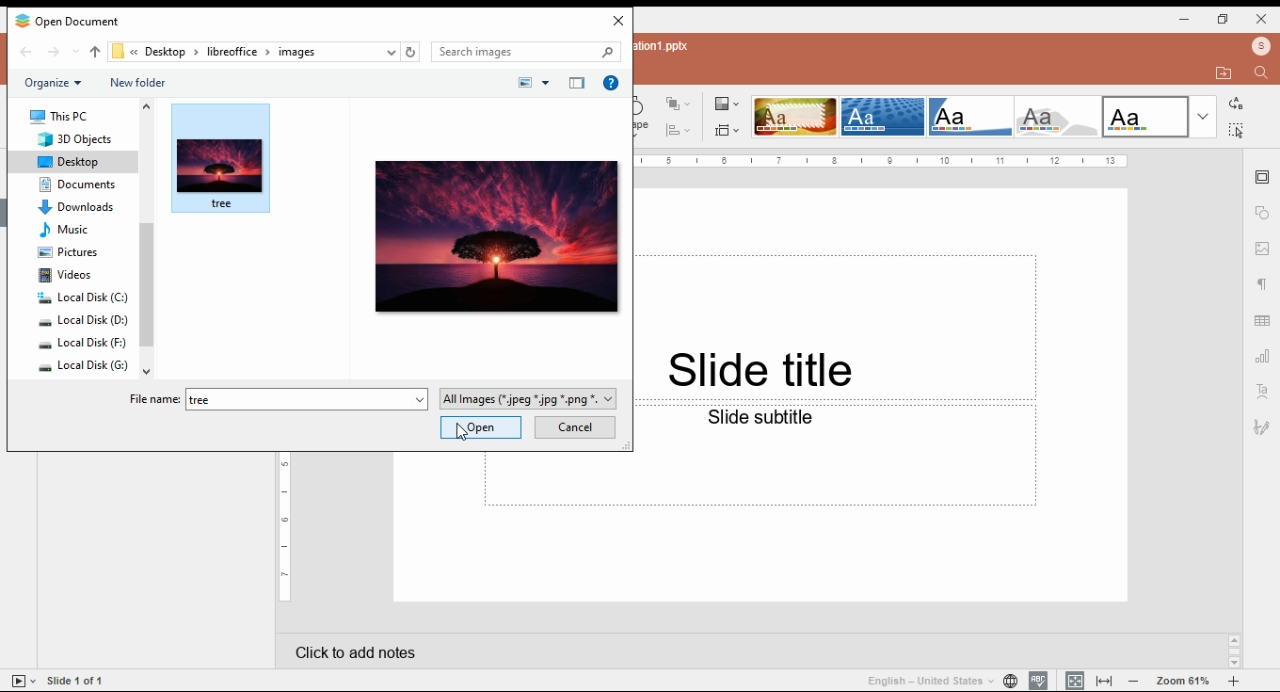 This screenshot has width=1280, height=692. Describe the element at coordinates (1263, 354) in the screenshot. I see `charts  settings` at that location.